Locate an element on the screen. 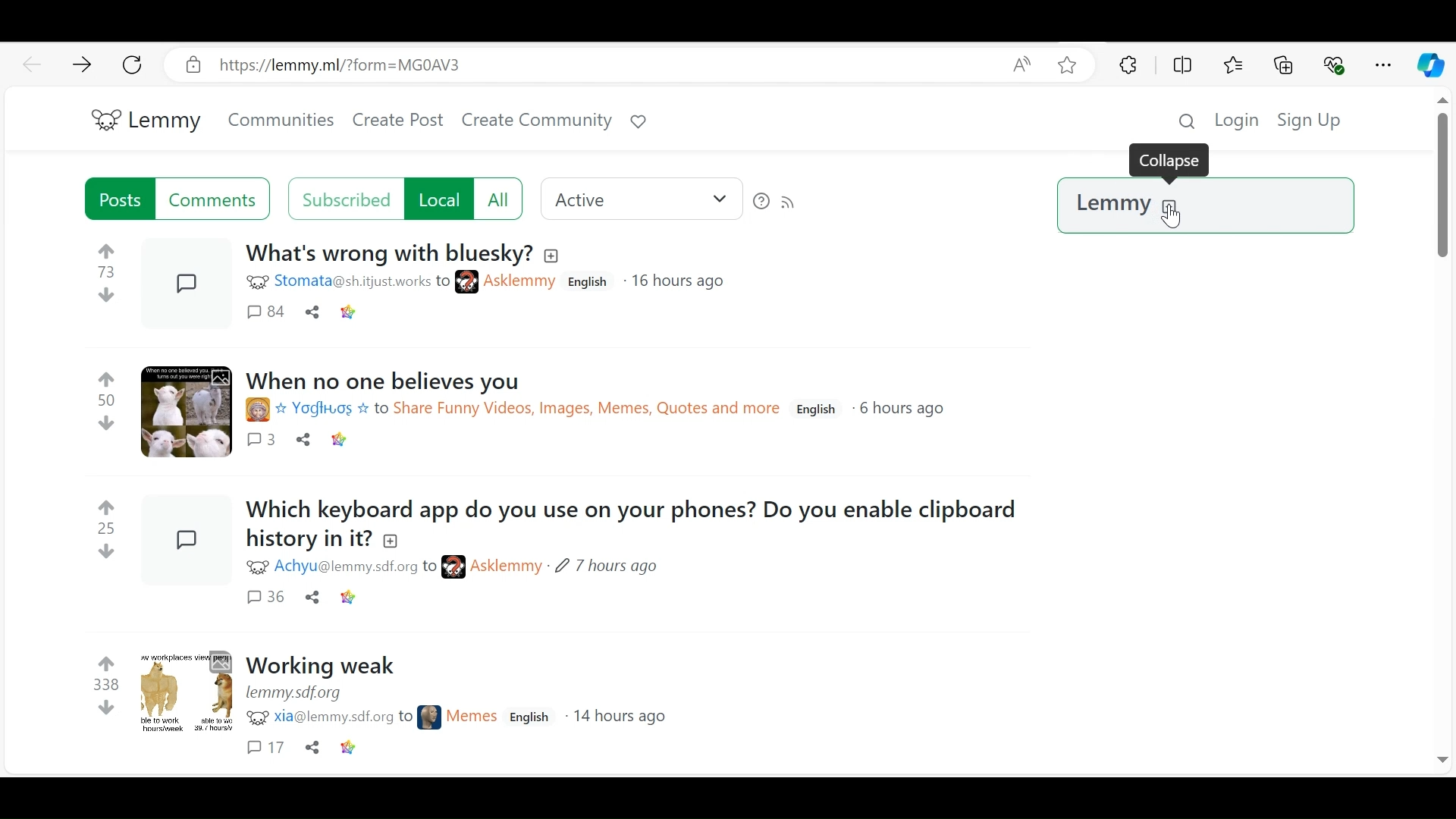 This screenshot has height=819, width=1456. Time posted is located at coordinates (902, 409).